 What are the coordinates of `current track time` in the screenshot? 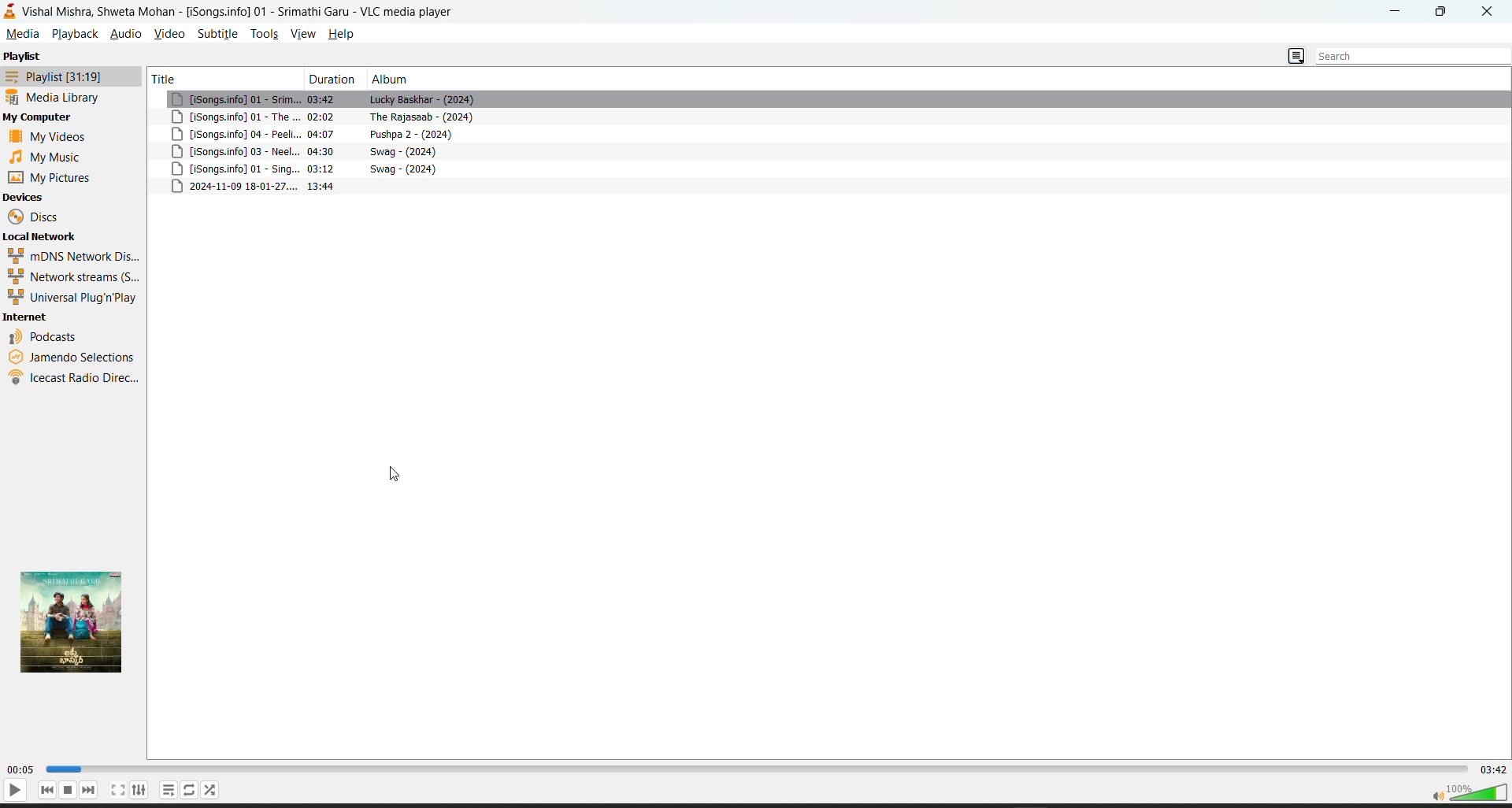 It's located at (20, 769).